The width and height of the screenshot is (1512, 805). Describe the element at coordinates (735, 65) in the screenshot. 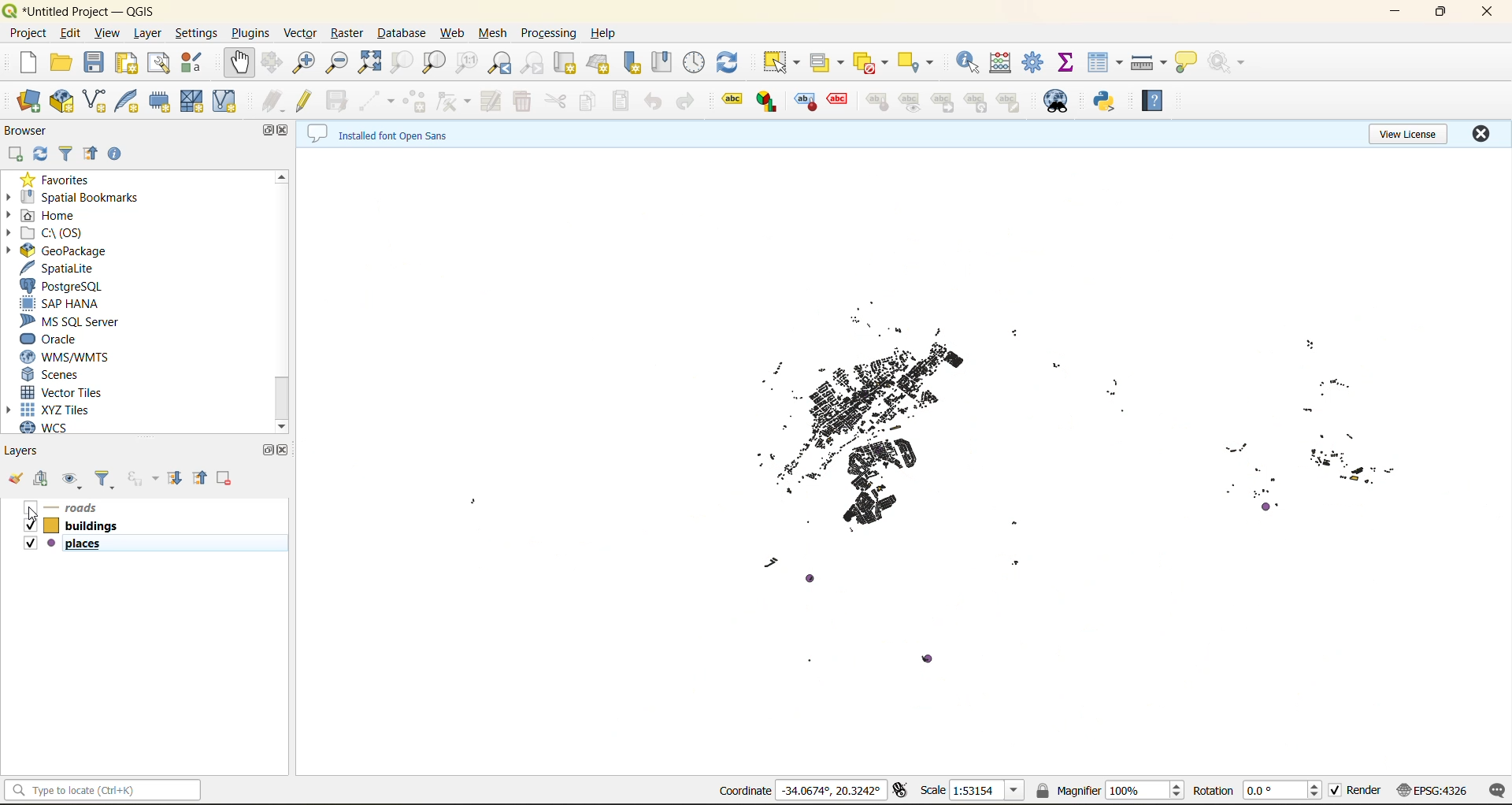

I see `refresh` at that location.